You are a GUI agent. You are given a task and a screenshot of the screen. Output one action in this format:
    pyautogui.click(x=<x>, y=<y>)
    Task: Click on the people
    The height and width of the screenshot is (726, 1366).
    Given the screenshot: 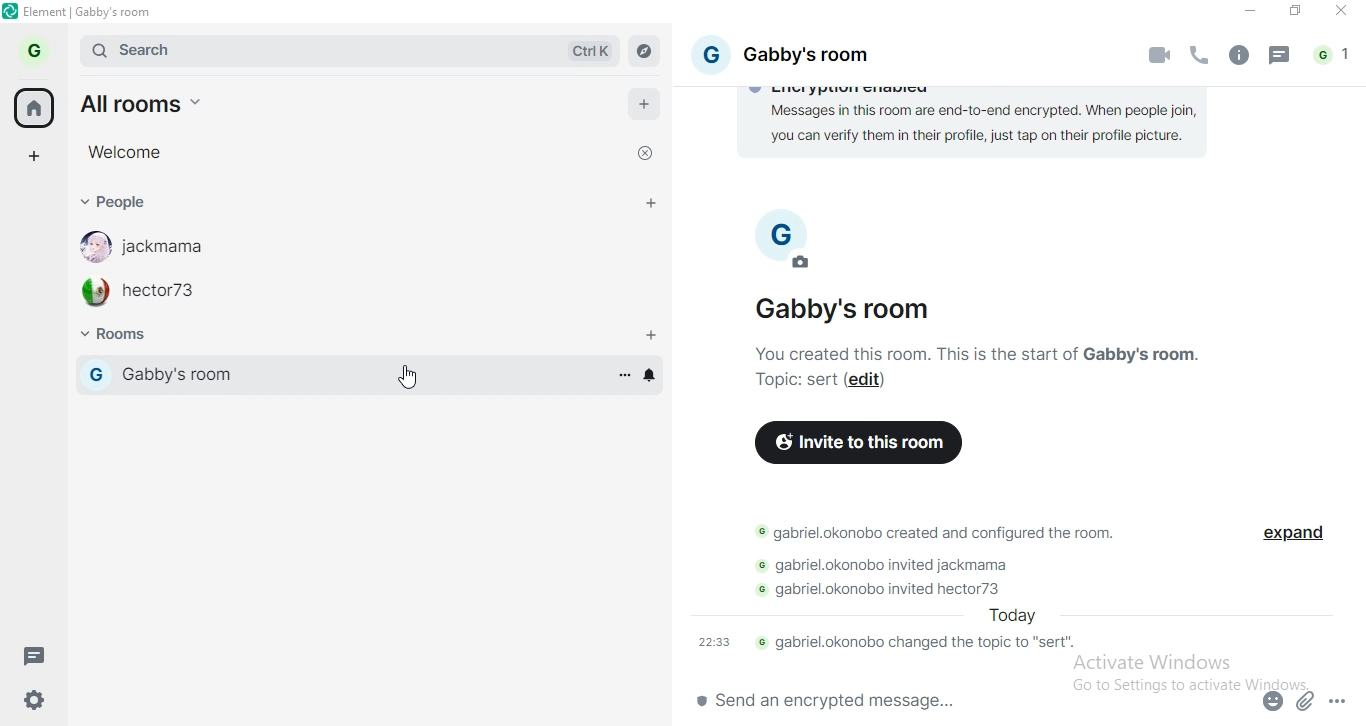 What is the action you would take?
    pyautogui.click(x=115, y=201)
    